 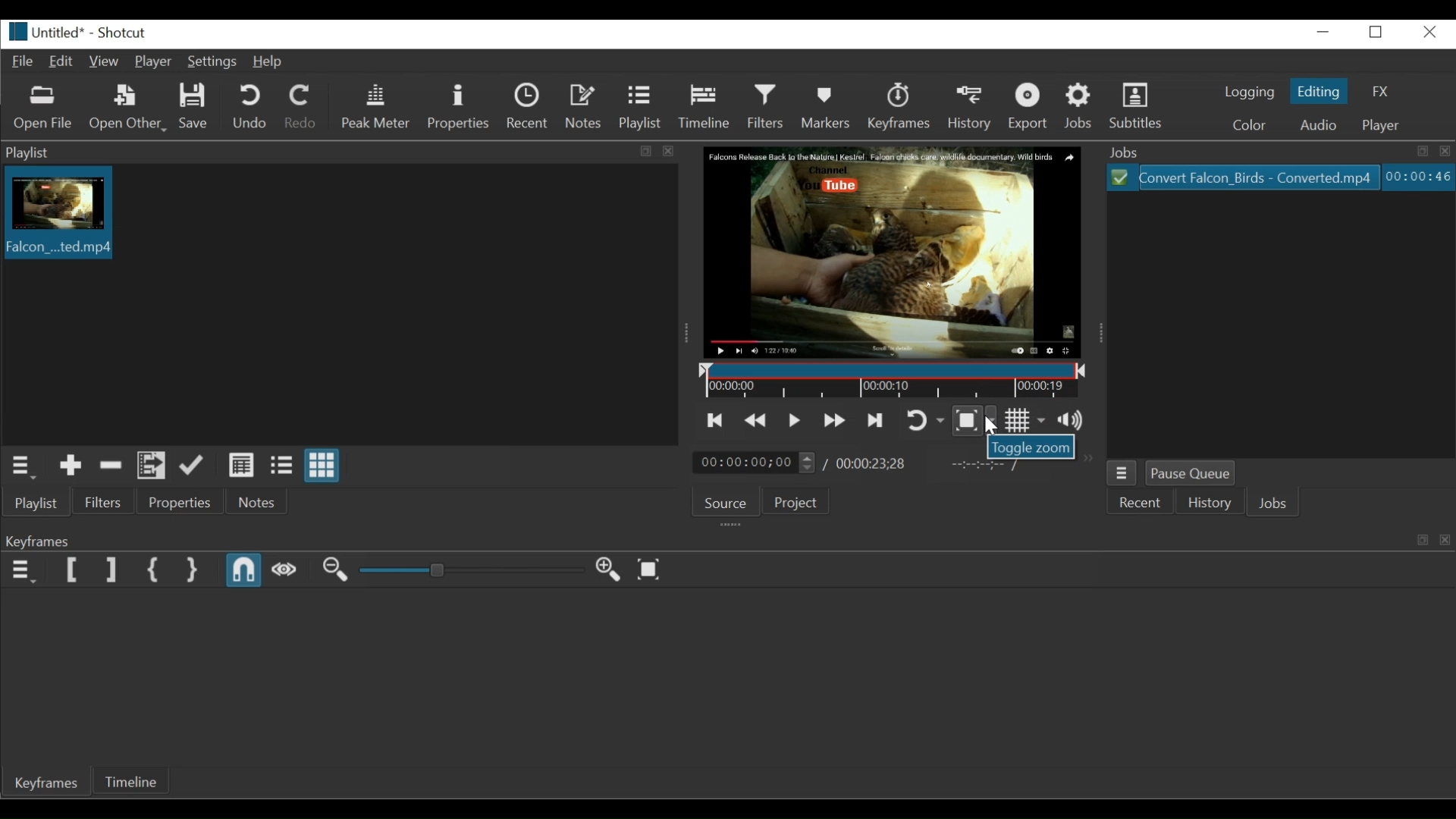 I want to click on Peak Meter, so click(x=375, y=107).